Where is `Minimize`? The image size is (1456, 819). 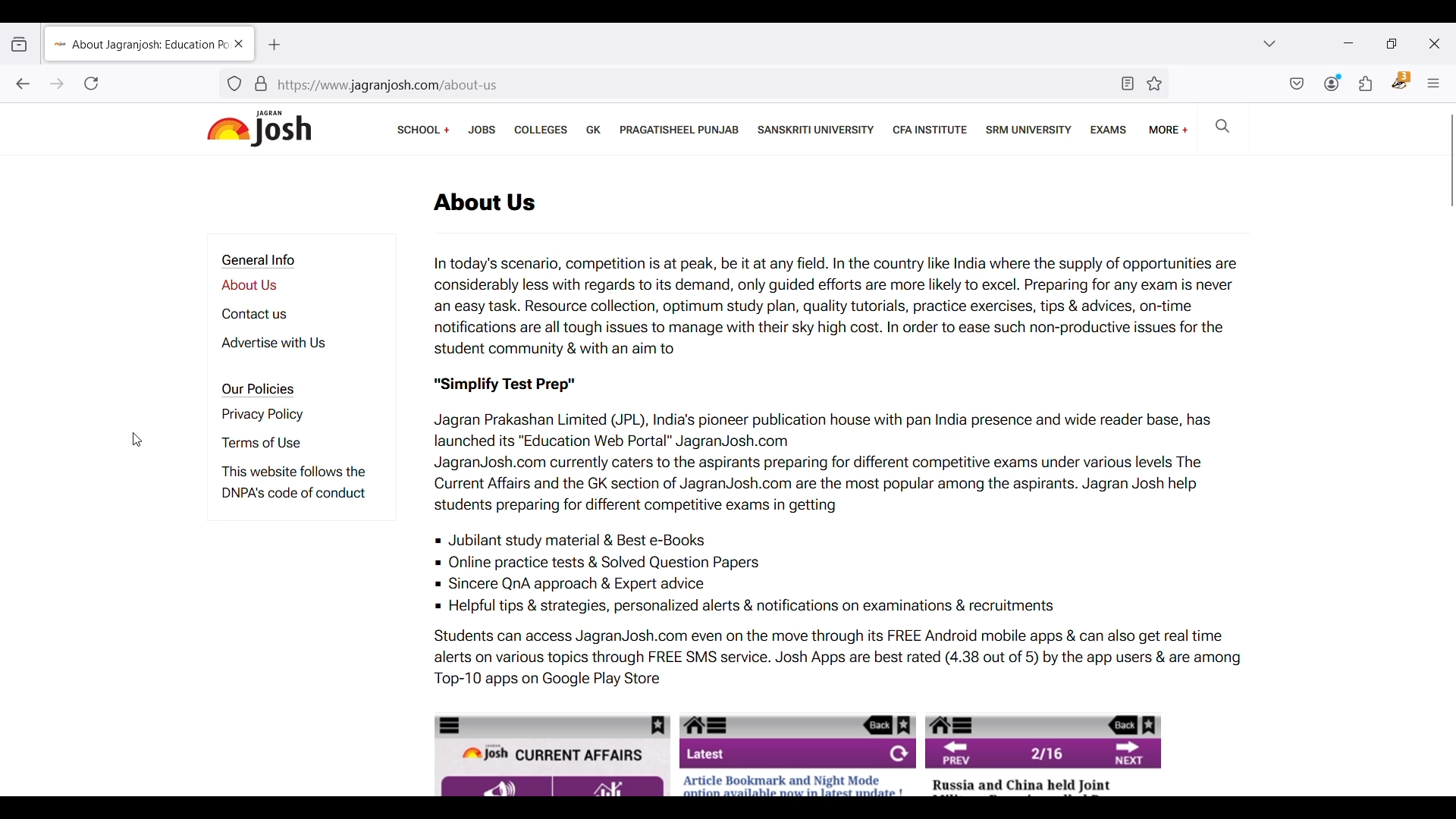 Minimize is located at coordinates (1348, 43).